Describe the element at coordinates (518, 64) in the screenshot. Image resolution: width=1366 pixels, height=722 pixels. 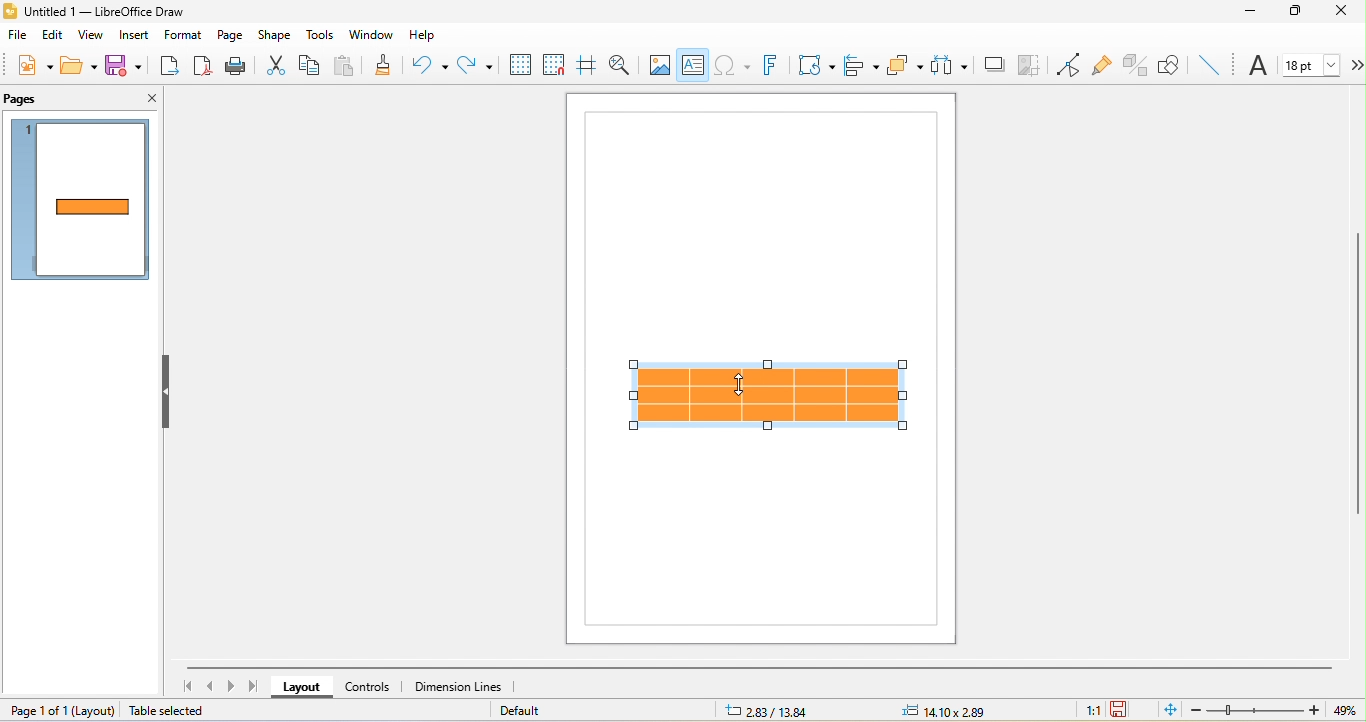
I see `display to grids` at that location.